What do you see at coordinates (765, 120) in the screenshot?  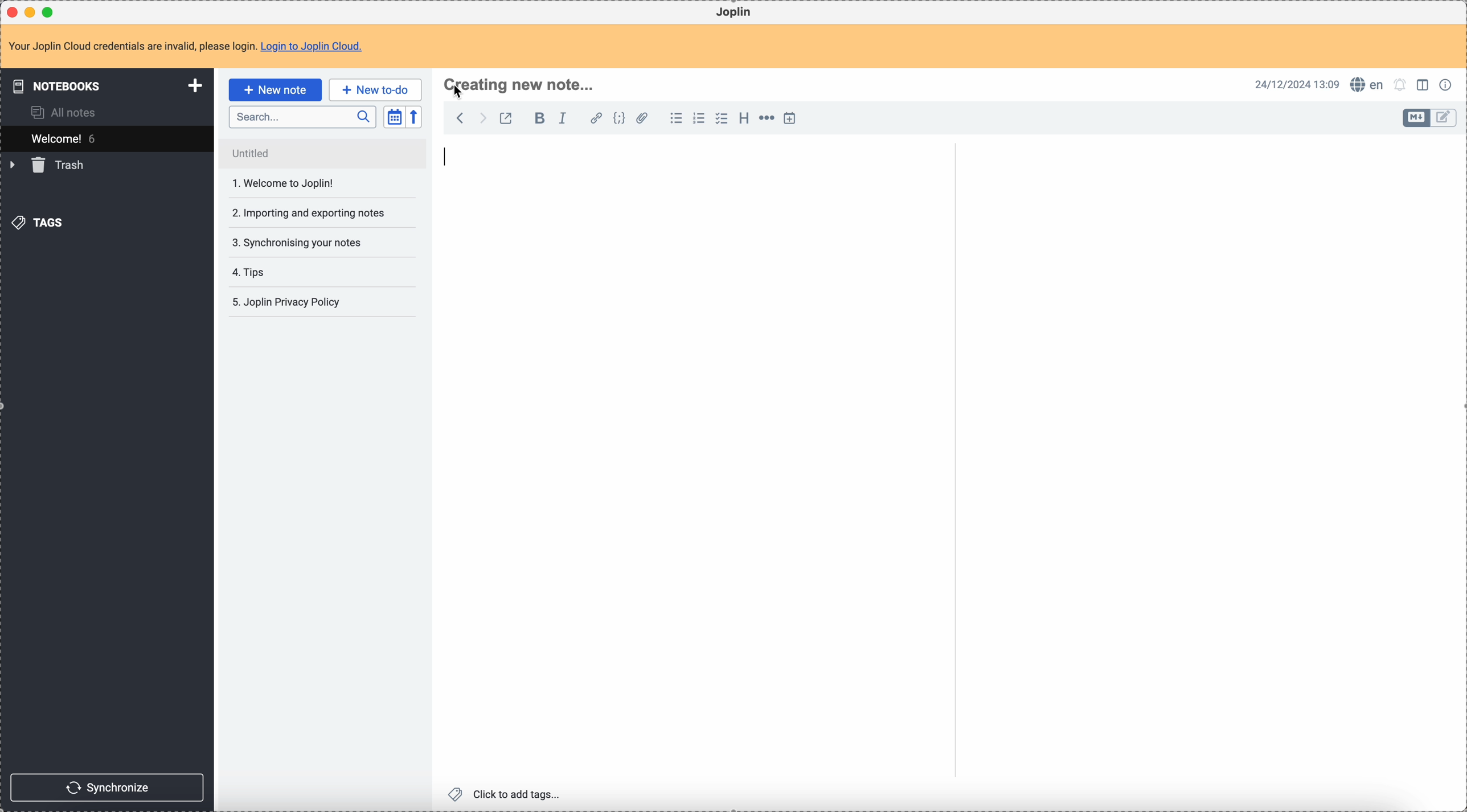 I see `horizontal rule` at bounding box center [765, 120].